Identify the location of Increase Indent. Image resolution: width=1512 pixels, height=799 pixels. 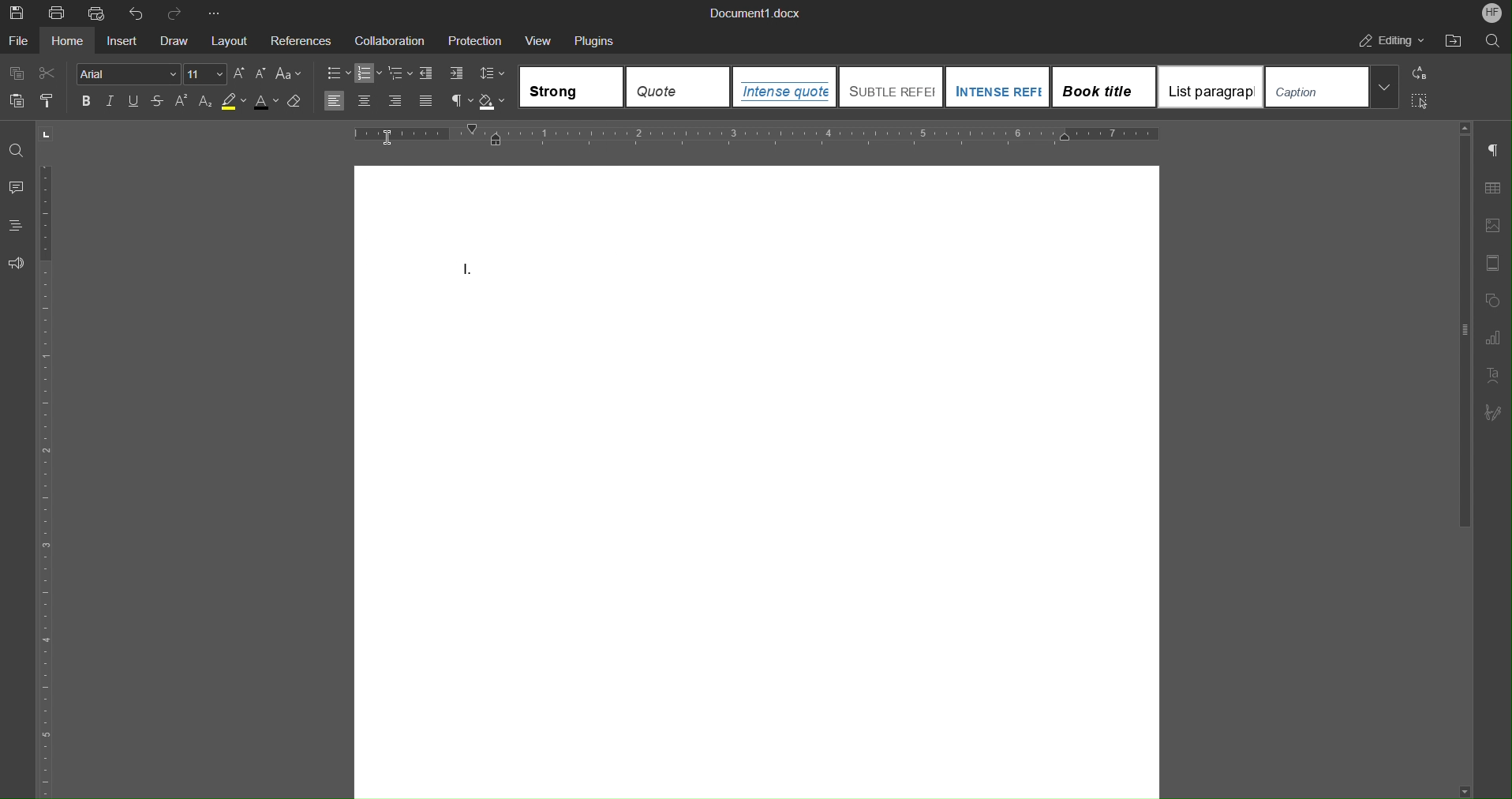
(455, 74).